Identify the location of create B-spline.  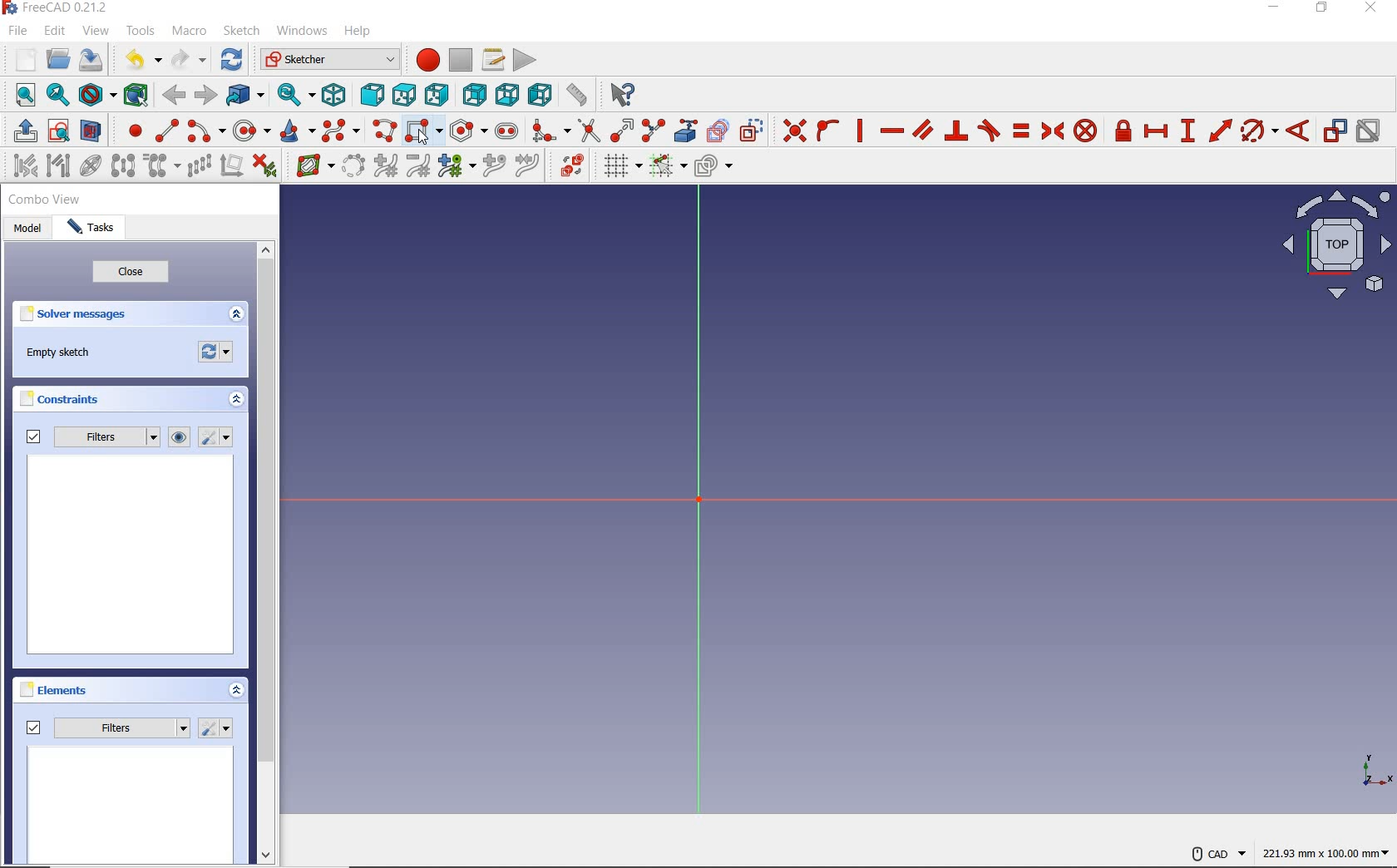
(341, 132).